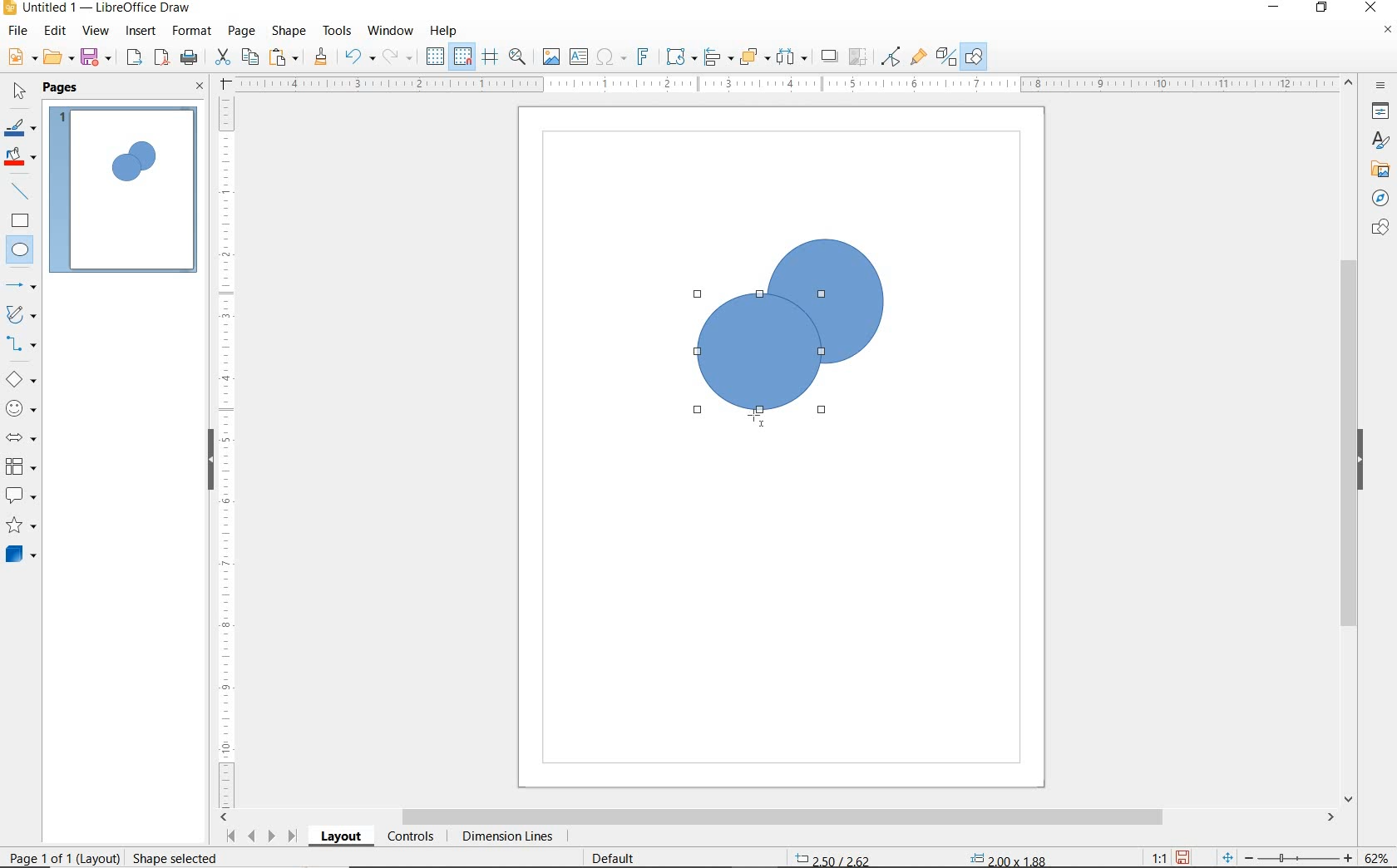 Image resolution: width=1397 pixels, height=868 pixels. Describe the element at coordinates (19, 33) in the screenshot. I see `FILE` at that location.